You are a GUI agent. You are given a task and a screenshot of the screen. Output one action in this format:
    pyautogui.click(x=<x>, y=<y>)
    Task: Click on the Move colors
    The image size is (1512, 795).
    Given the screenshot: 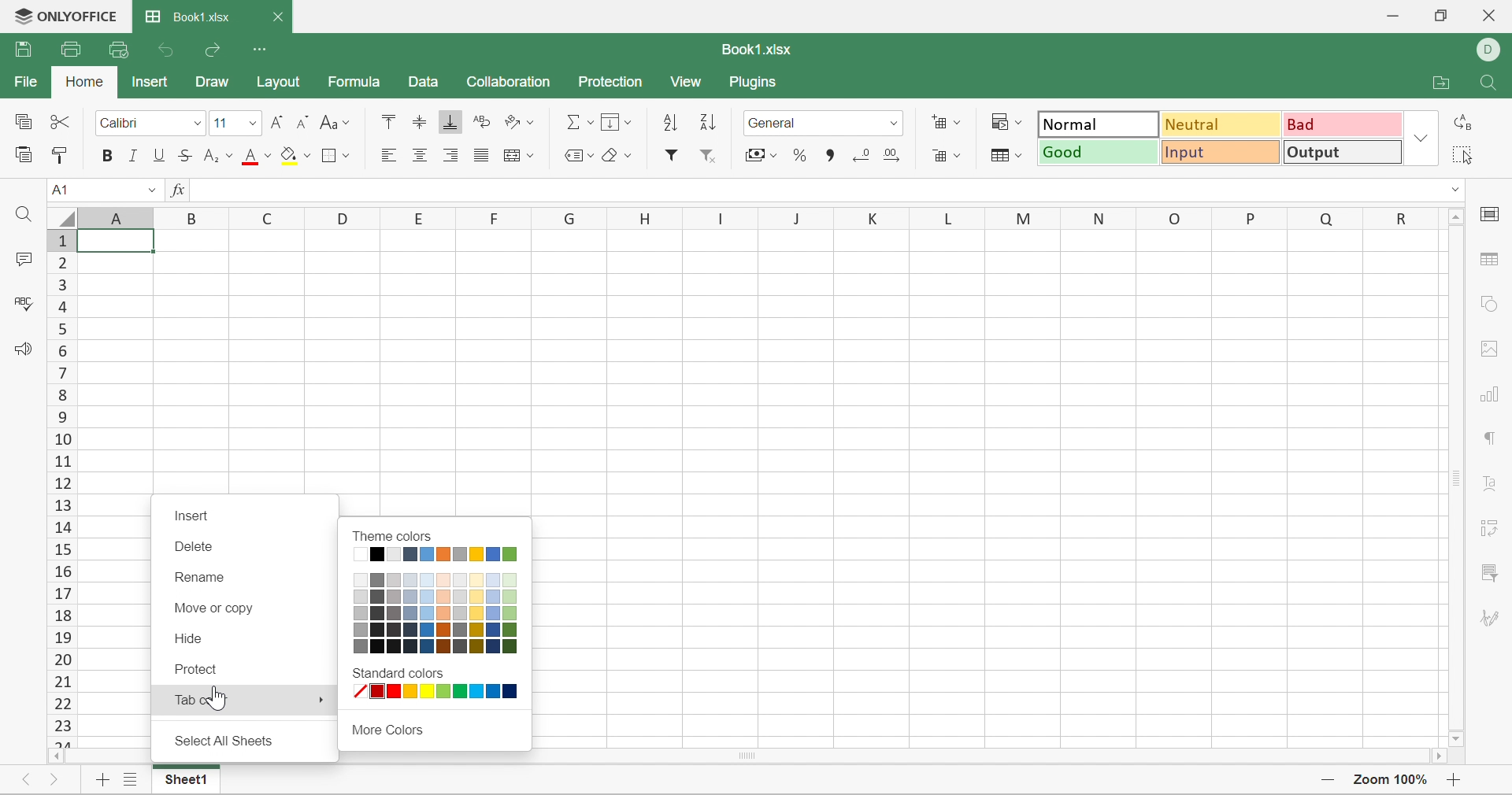 What is the action you would take?
    pyautogui.click(x=386, y=729)
    